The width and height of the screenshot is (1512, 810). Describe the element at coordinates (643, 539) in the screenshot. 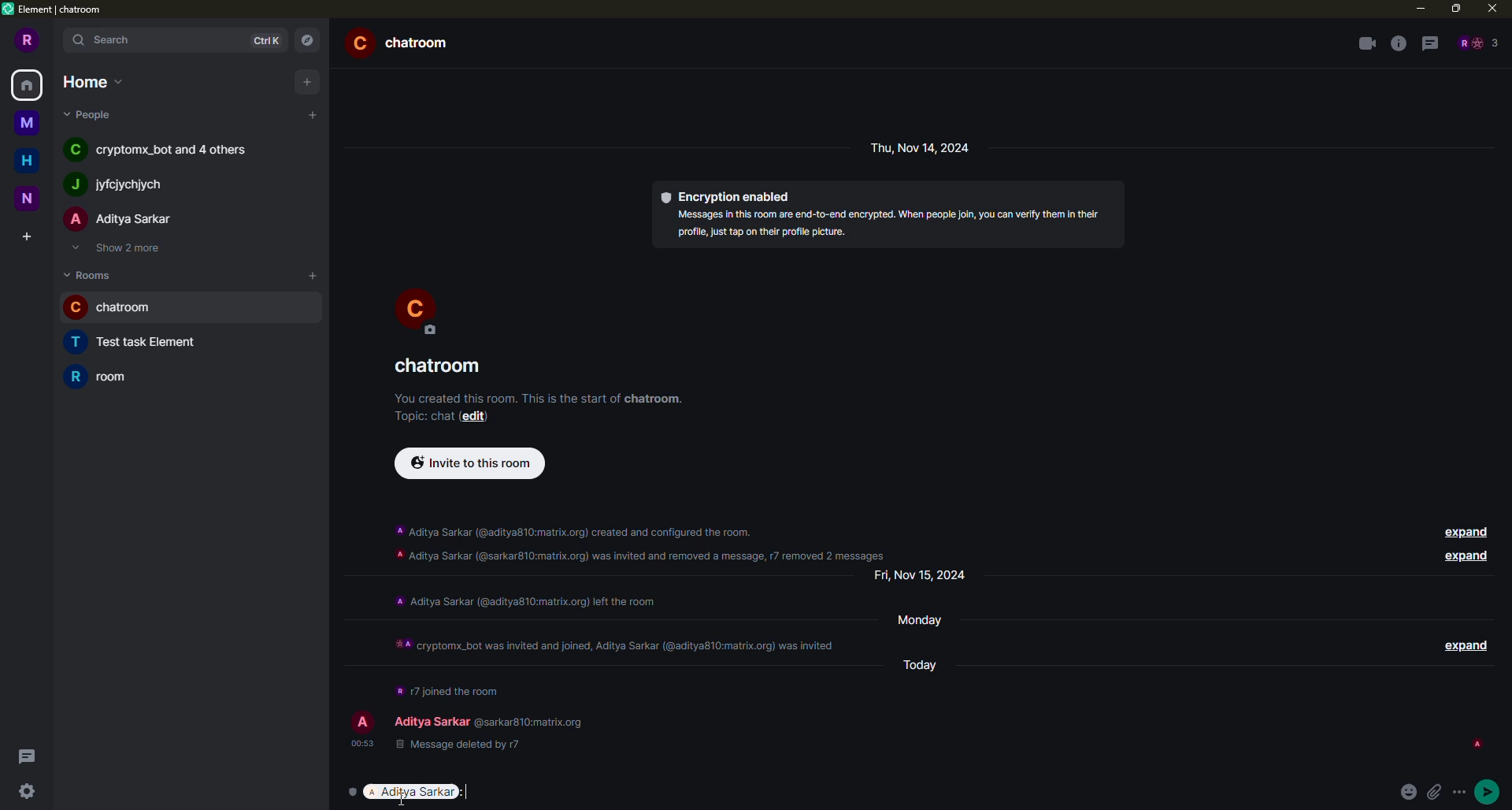

I see `info` at that location.